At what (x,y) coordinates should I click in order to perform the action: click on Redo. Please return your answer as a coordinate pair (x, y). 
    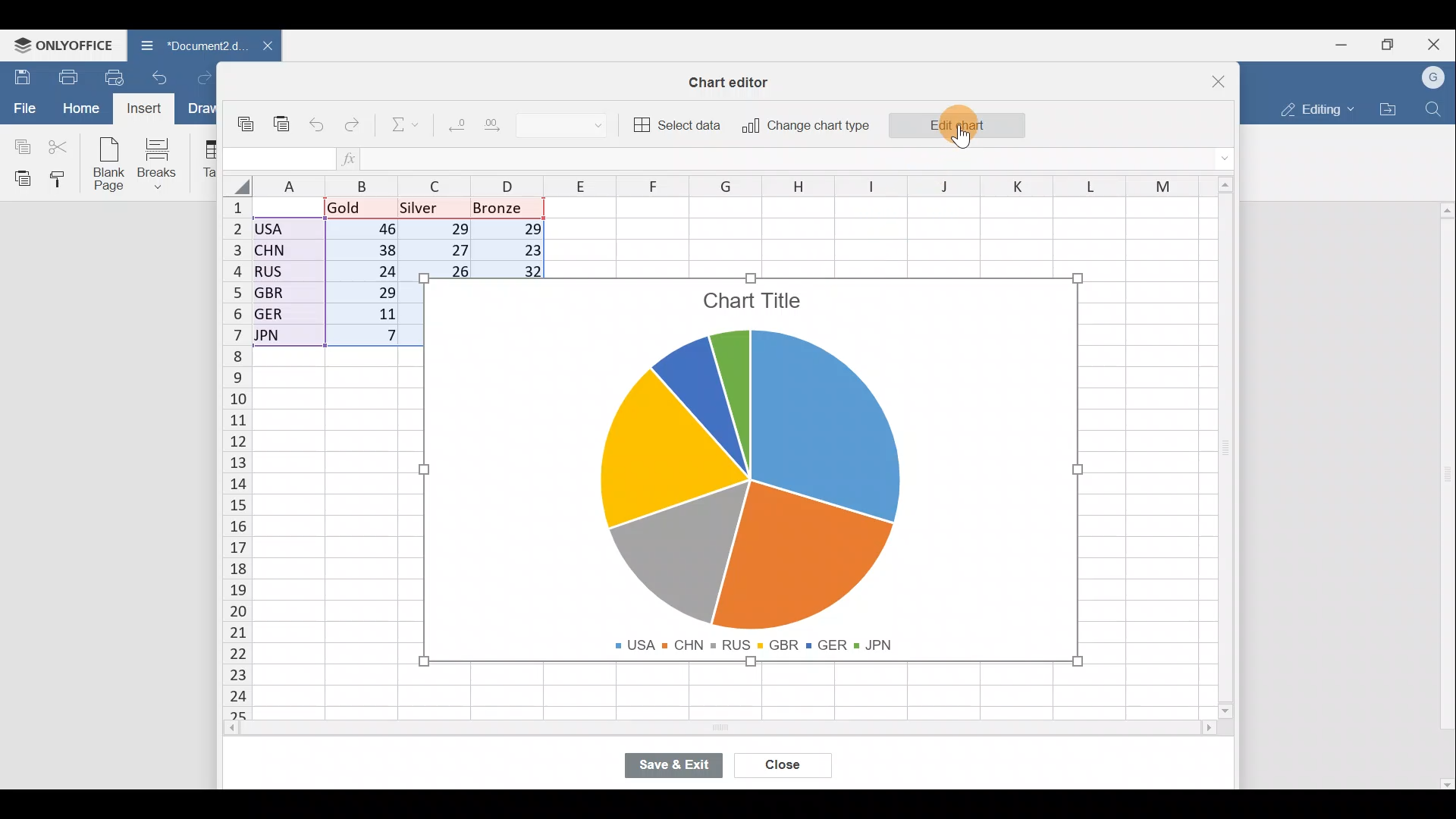
    Looking at the image, I should click on (203, 79).